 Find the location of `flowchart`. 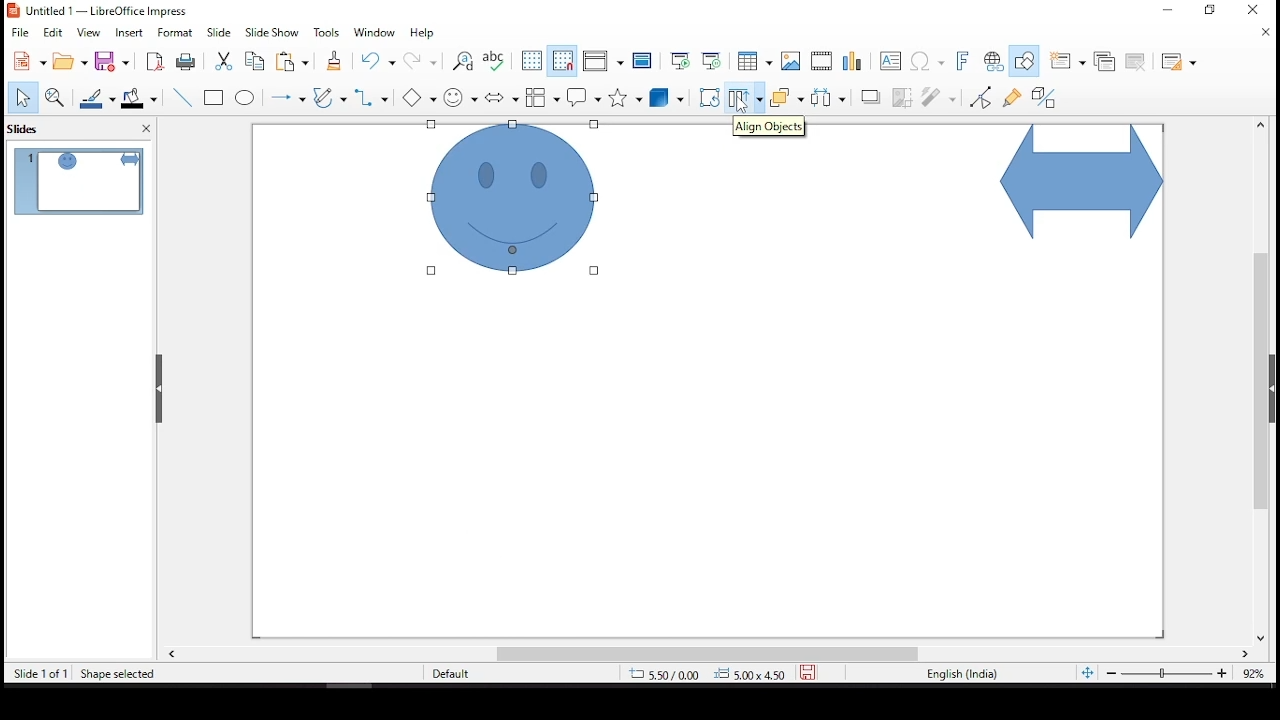

flowchart is located at coordinates (543, 97).